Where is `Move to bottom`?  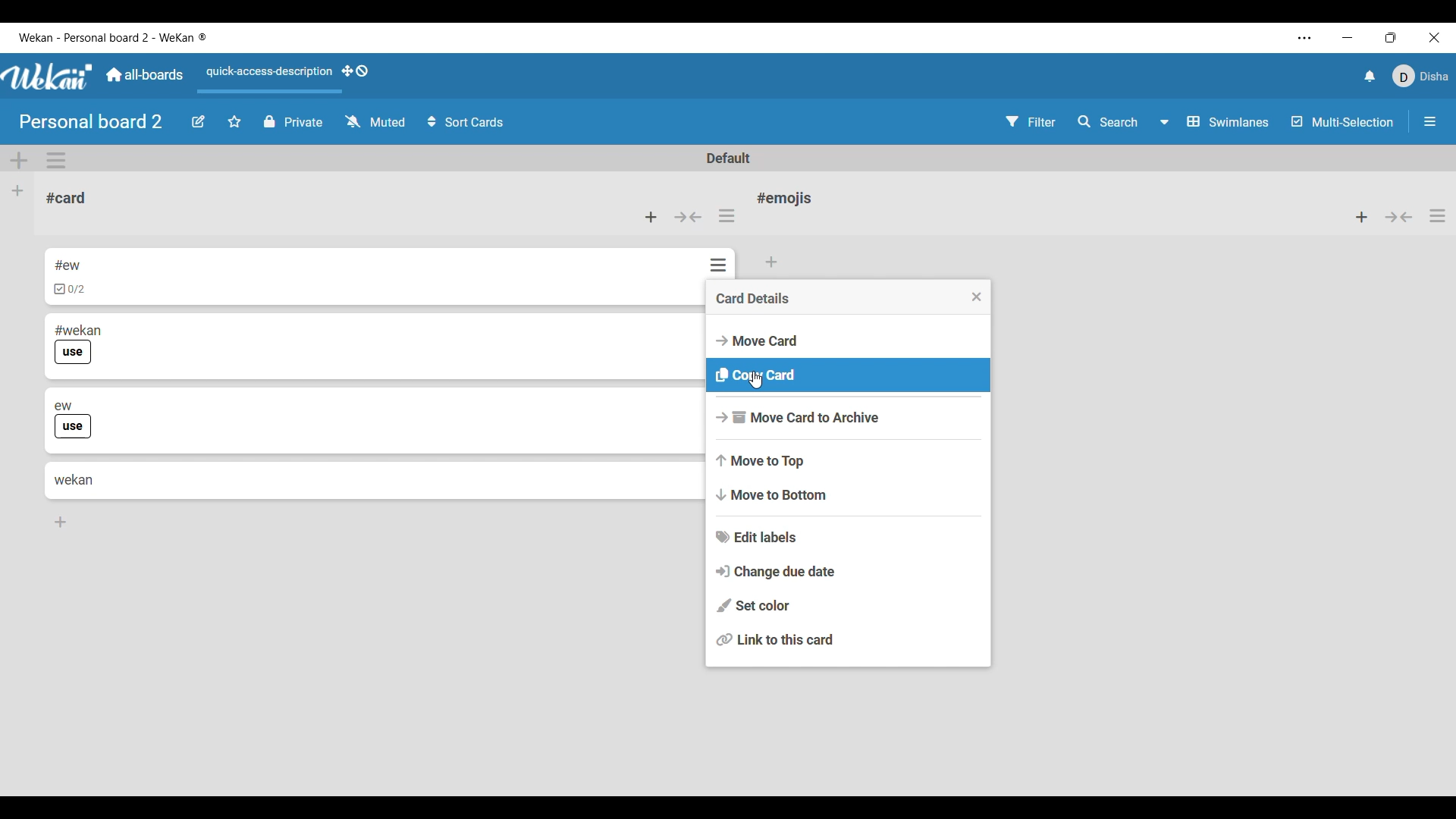
Move to bottom is located at coordinates (846, 495).